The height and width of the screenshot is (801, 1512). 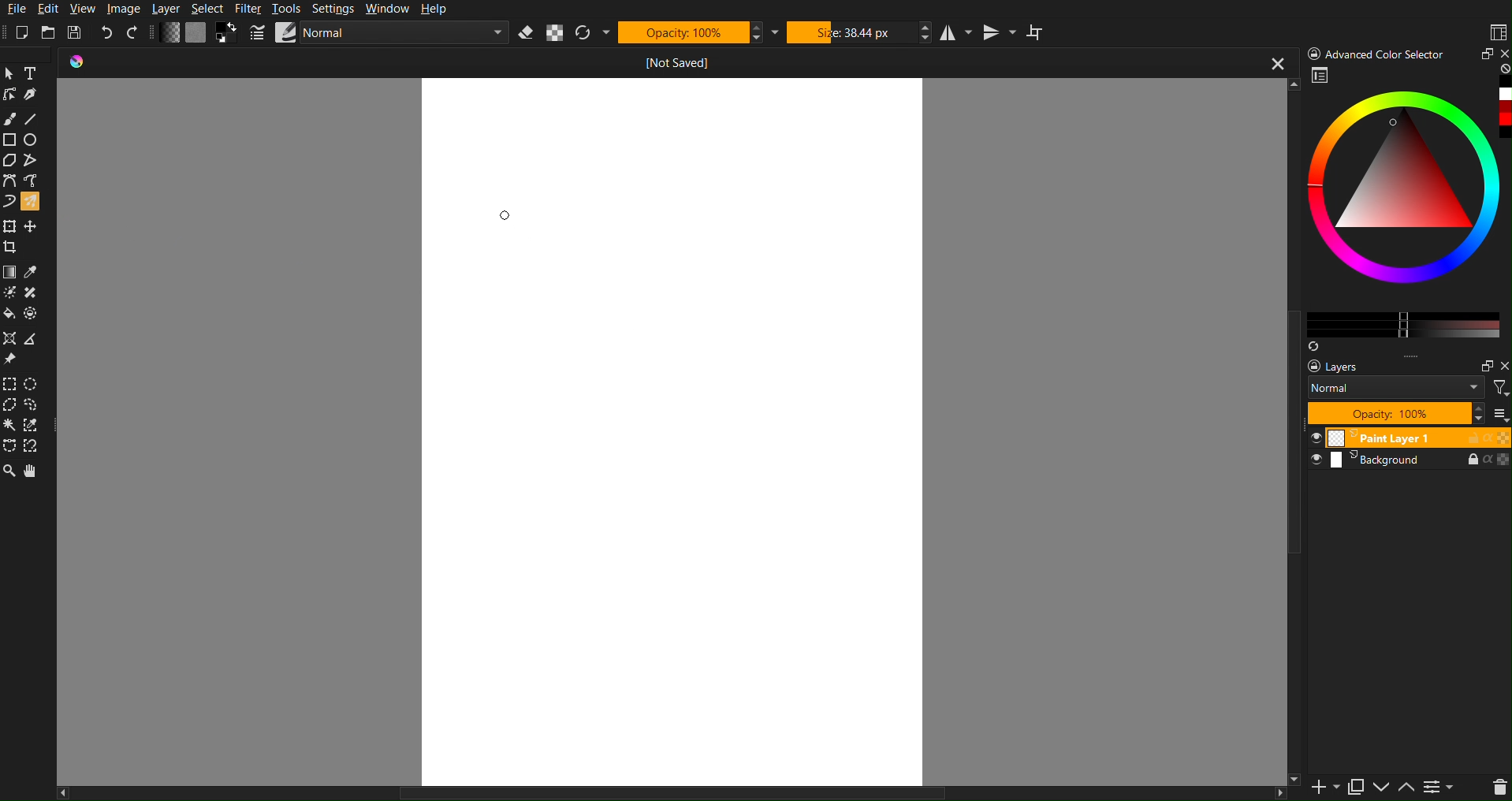 What do you see at coordinates (1396, 387) in the screenshot?
I see `Normal` at bounding box center [1396, 387].